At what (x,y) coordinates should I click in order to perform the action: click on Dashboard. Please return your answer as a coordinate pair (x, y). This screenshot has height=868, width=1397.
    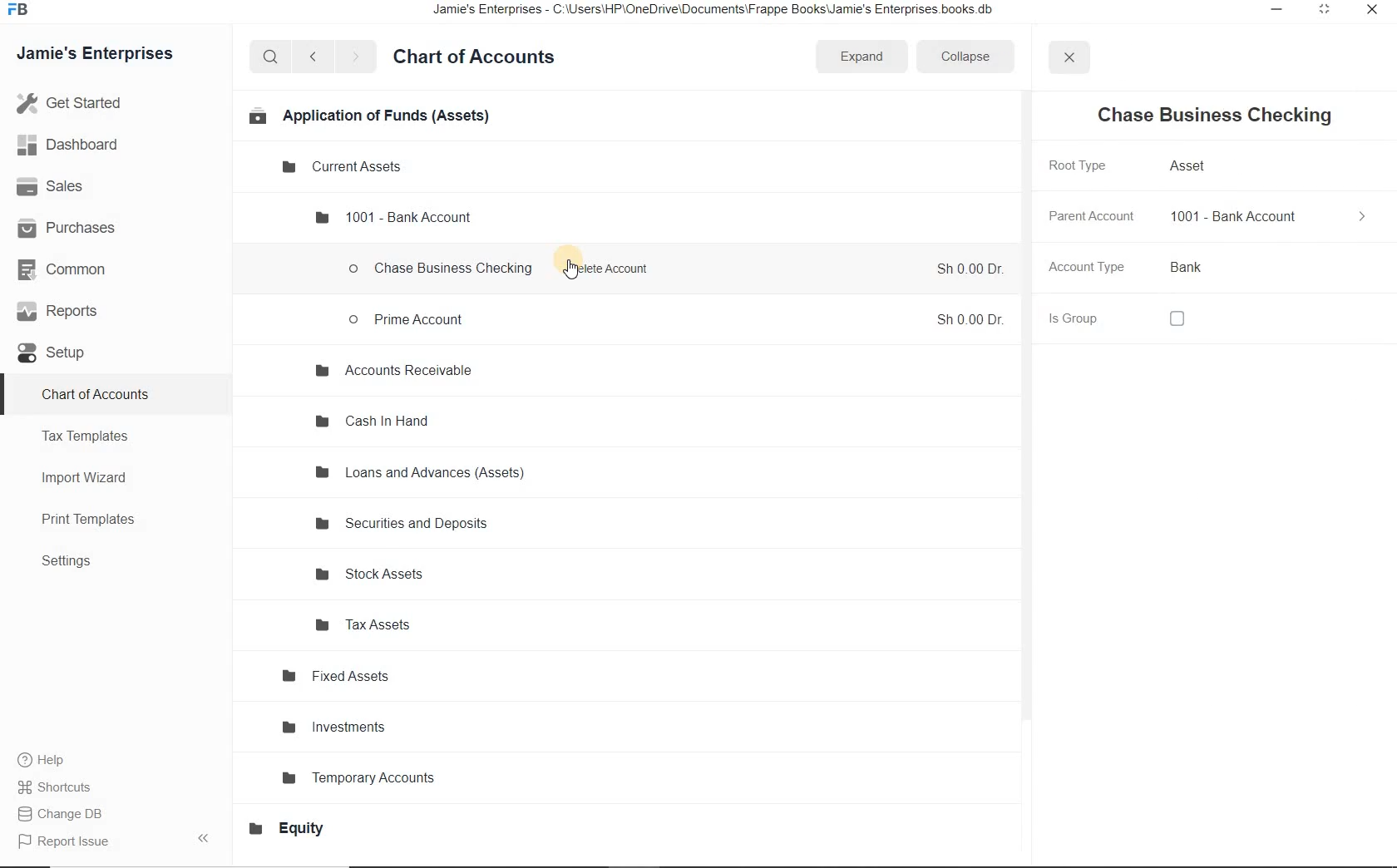
    Looking at the image, I should click on (86, 146).